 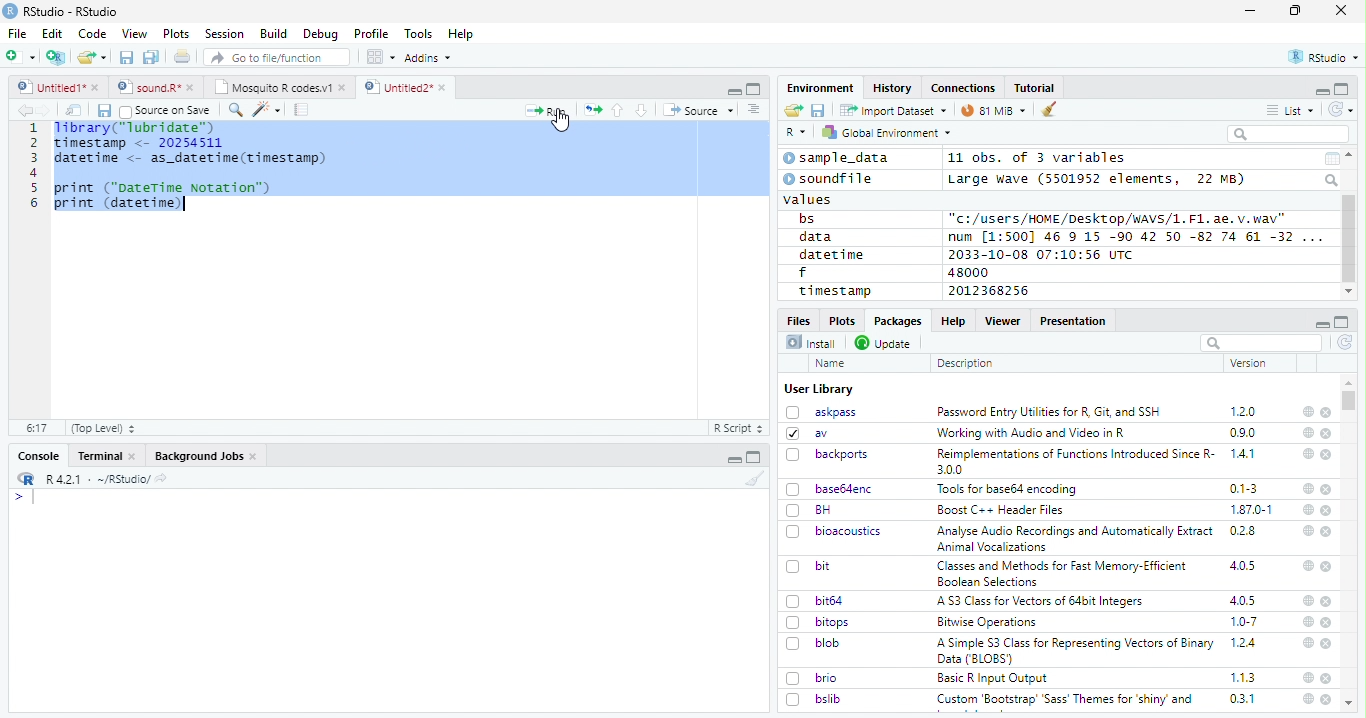 What do you see at coordinates (812, 678) in the screenshot?
I see `brio` at bounding box center [812, 678].